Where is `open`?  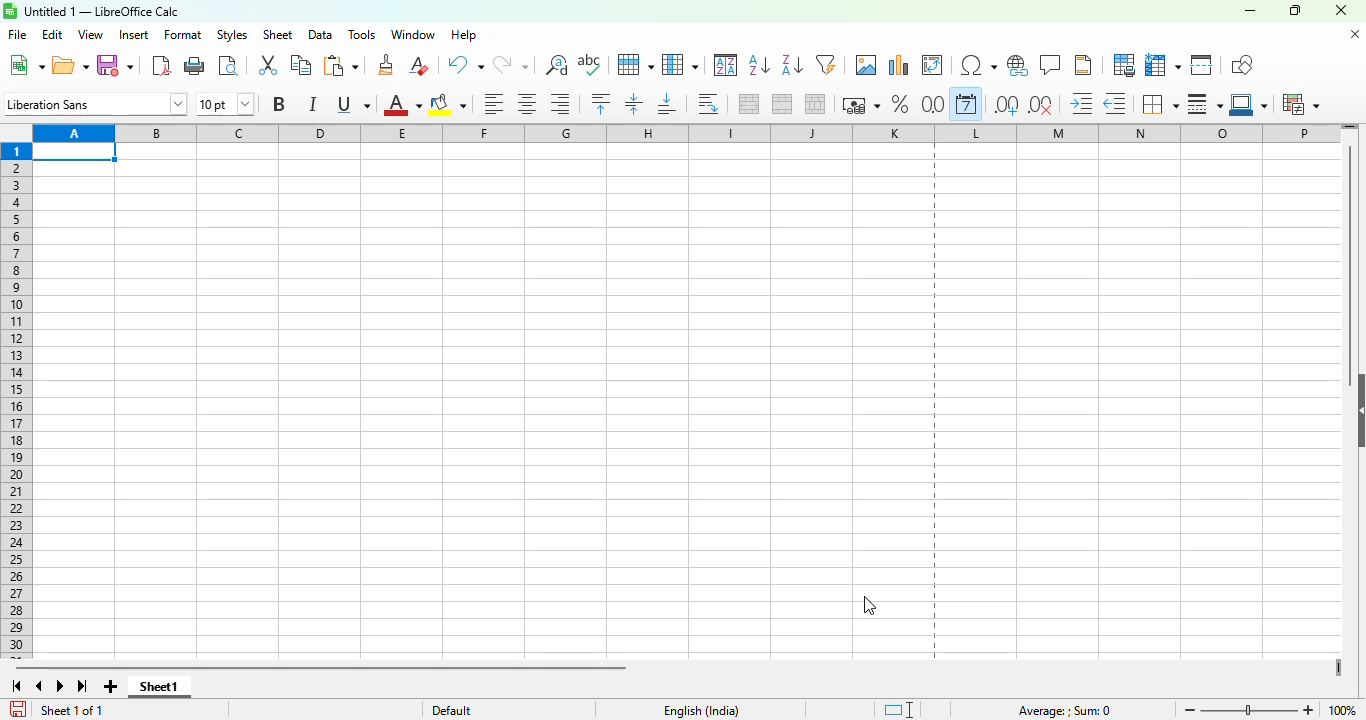 open is located at coordinates (70, 66).